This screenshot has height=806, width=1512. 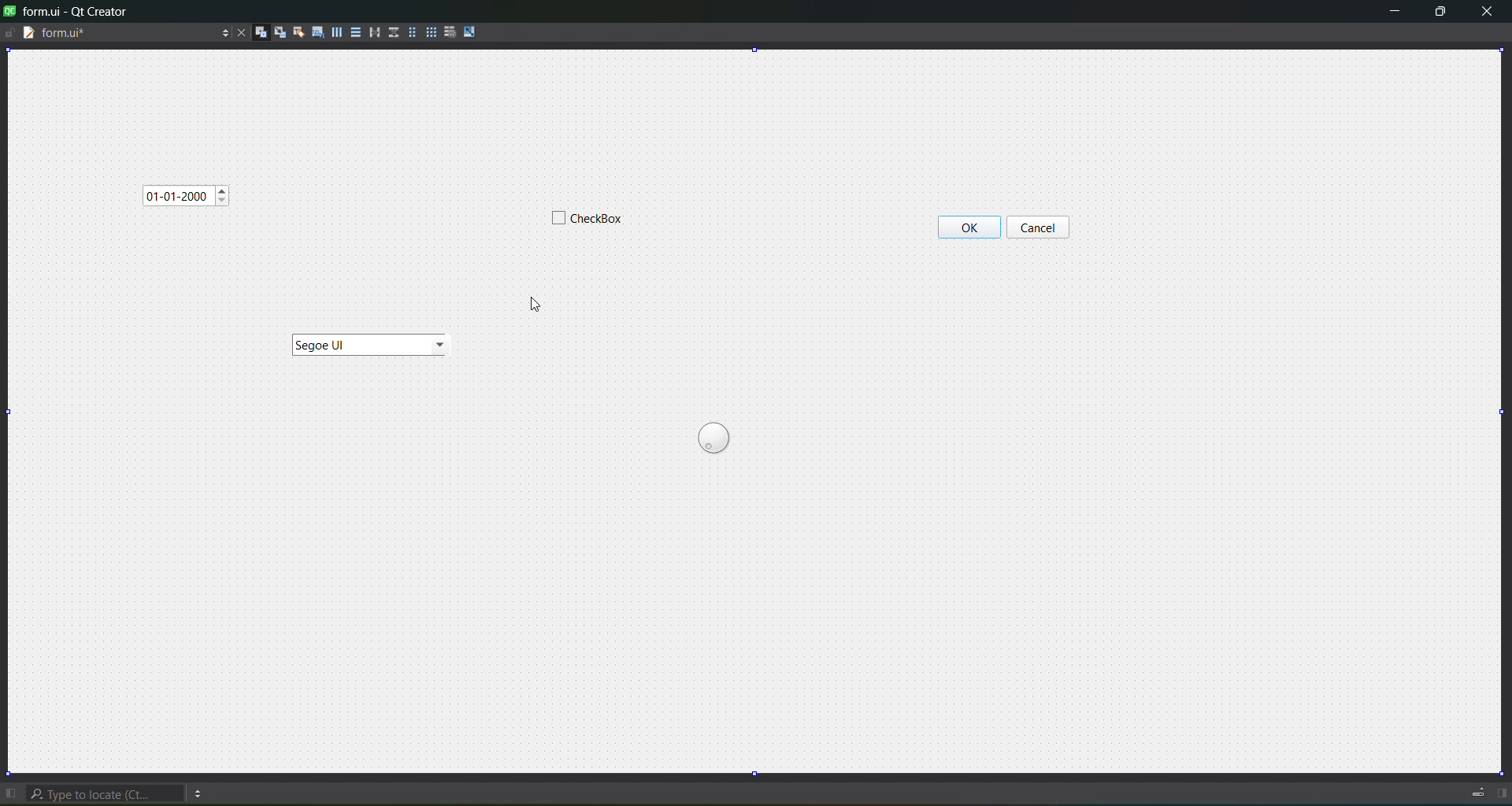 I want to click on Widget, so click(x=714, y=434).